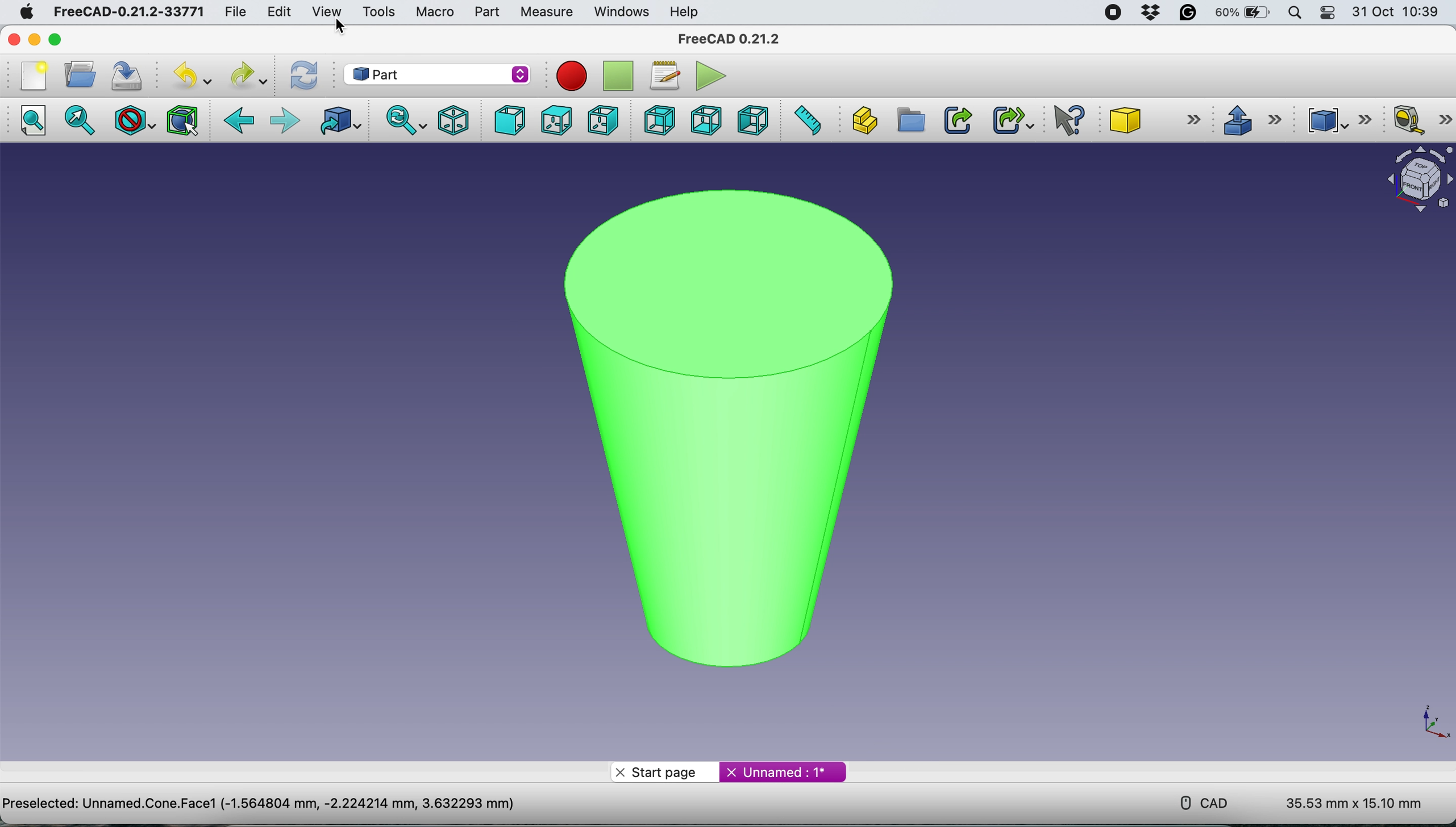 Image resolution: width=1456 pixels, height=827 pixels. What do you see at coordinates (34, 39) in the screenshot?
I see `minimise` at bounding box center [34, 39].